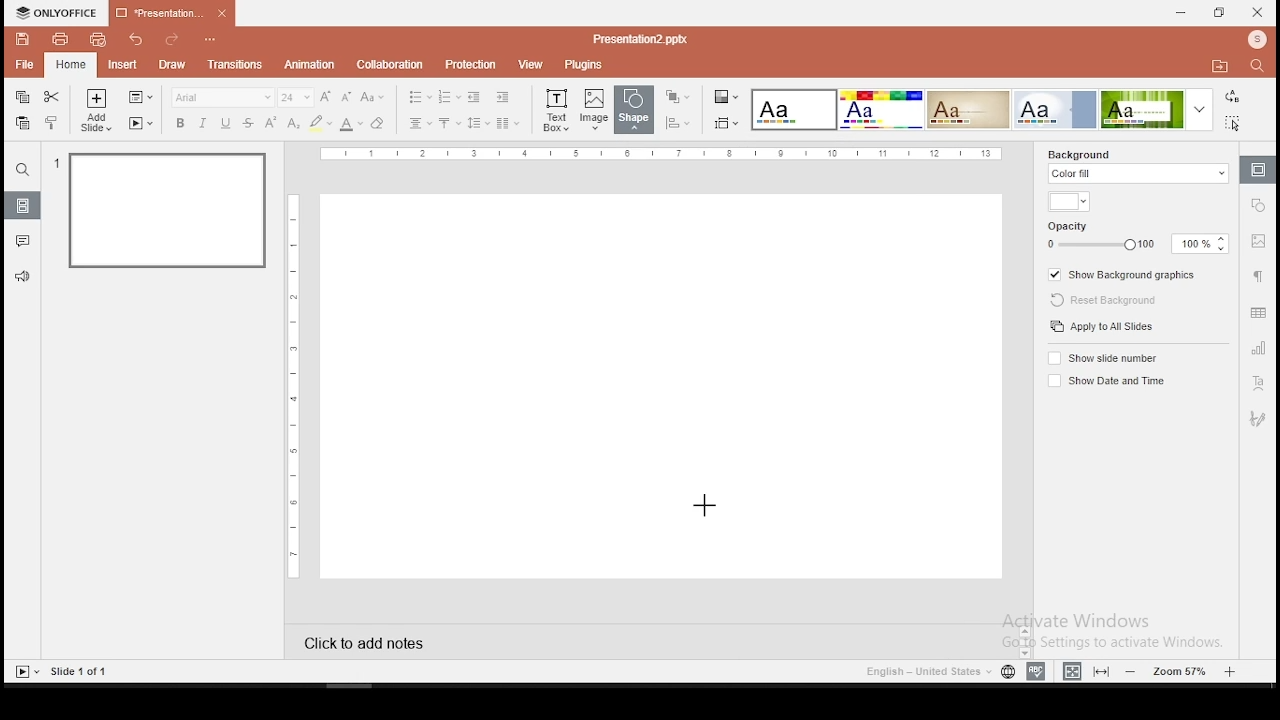 The width and height of the screenshot is (1280, 720). I want to click on vertical scale, so click(662, 154).